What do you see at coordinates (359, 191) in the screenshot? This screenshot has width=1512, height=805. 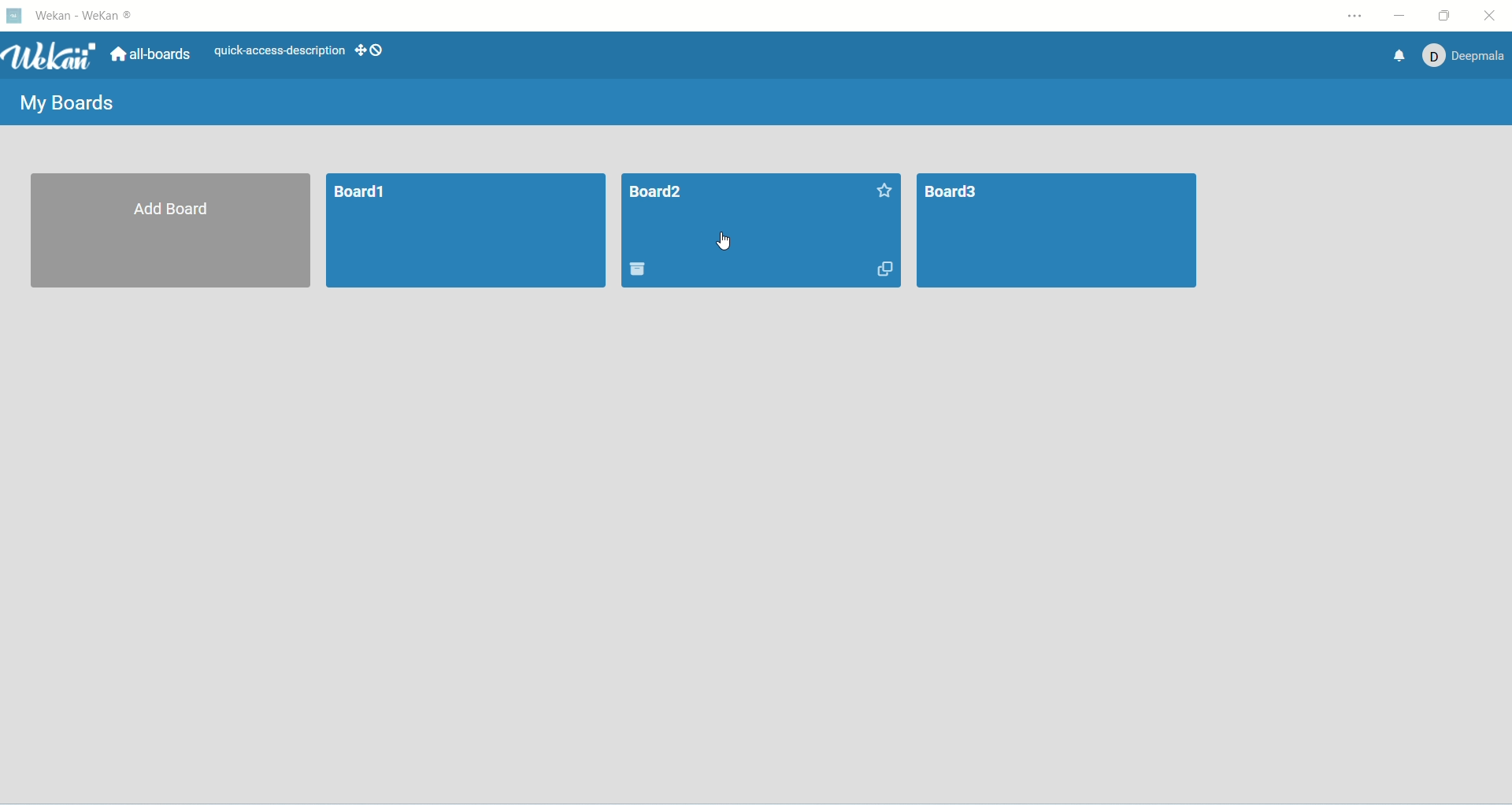 I see `board1` at bounding box center [359, 191].